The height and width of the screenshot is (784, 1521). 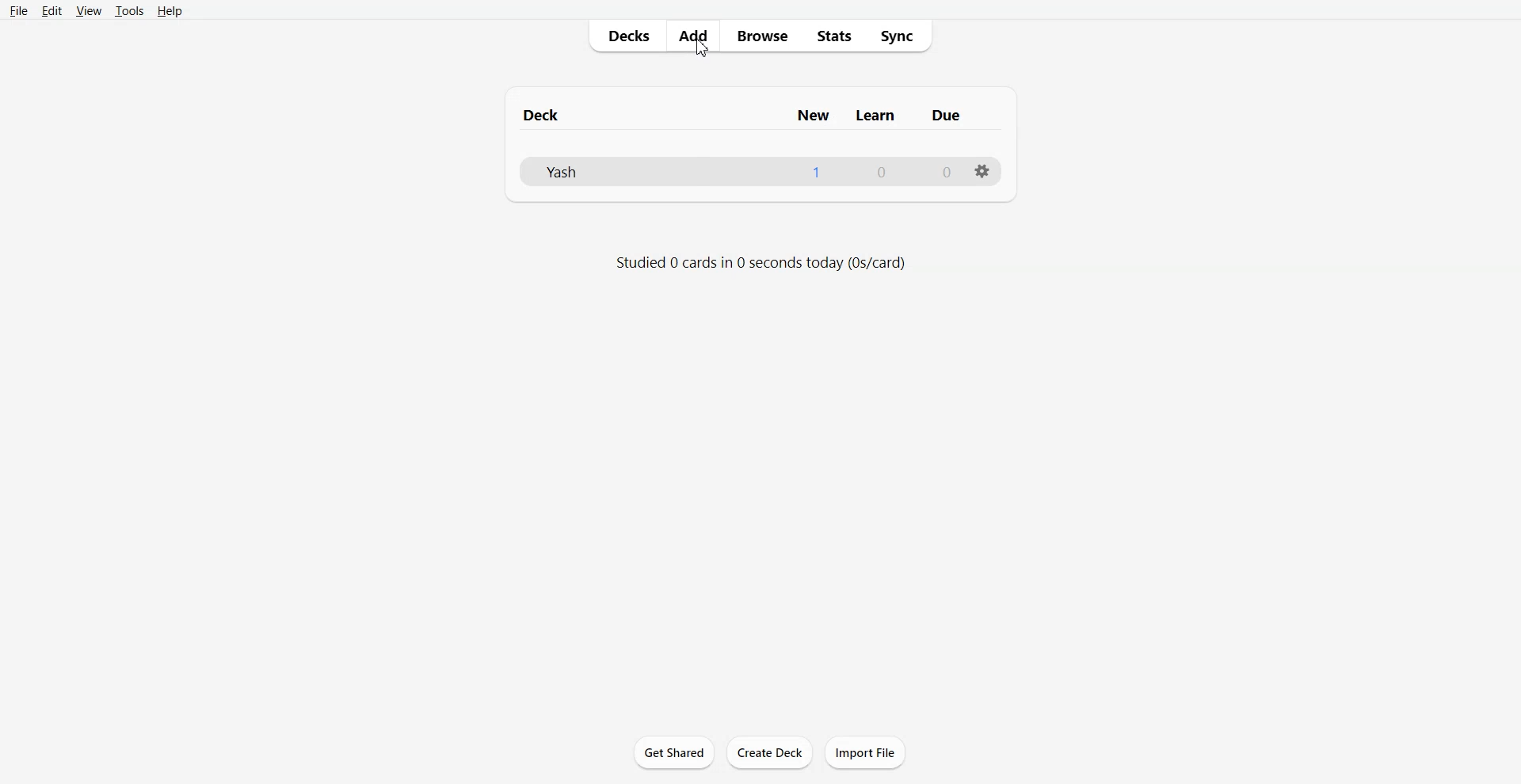 I want to click on Import File, so click(x=866, y=752).